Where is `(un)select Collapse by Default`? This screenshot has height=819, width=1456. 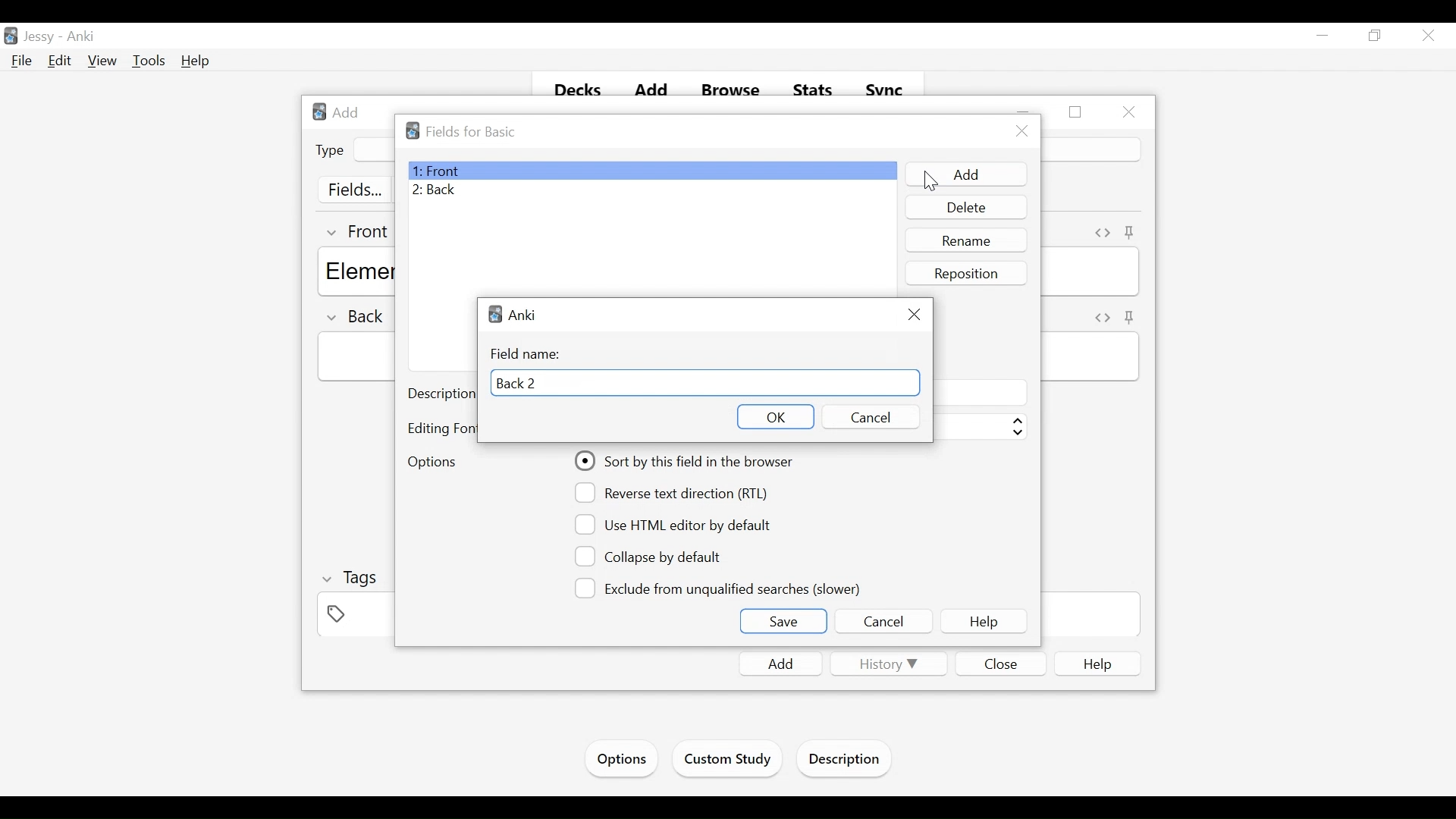
(un)select Collapse by Default is located at coordinates (652, 557).